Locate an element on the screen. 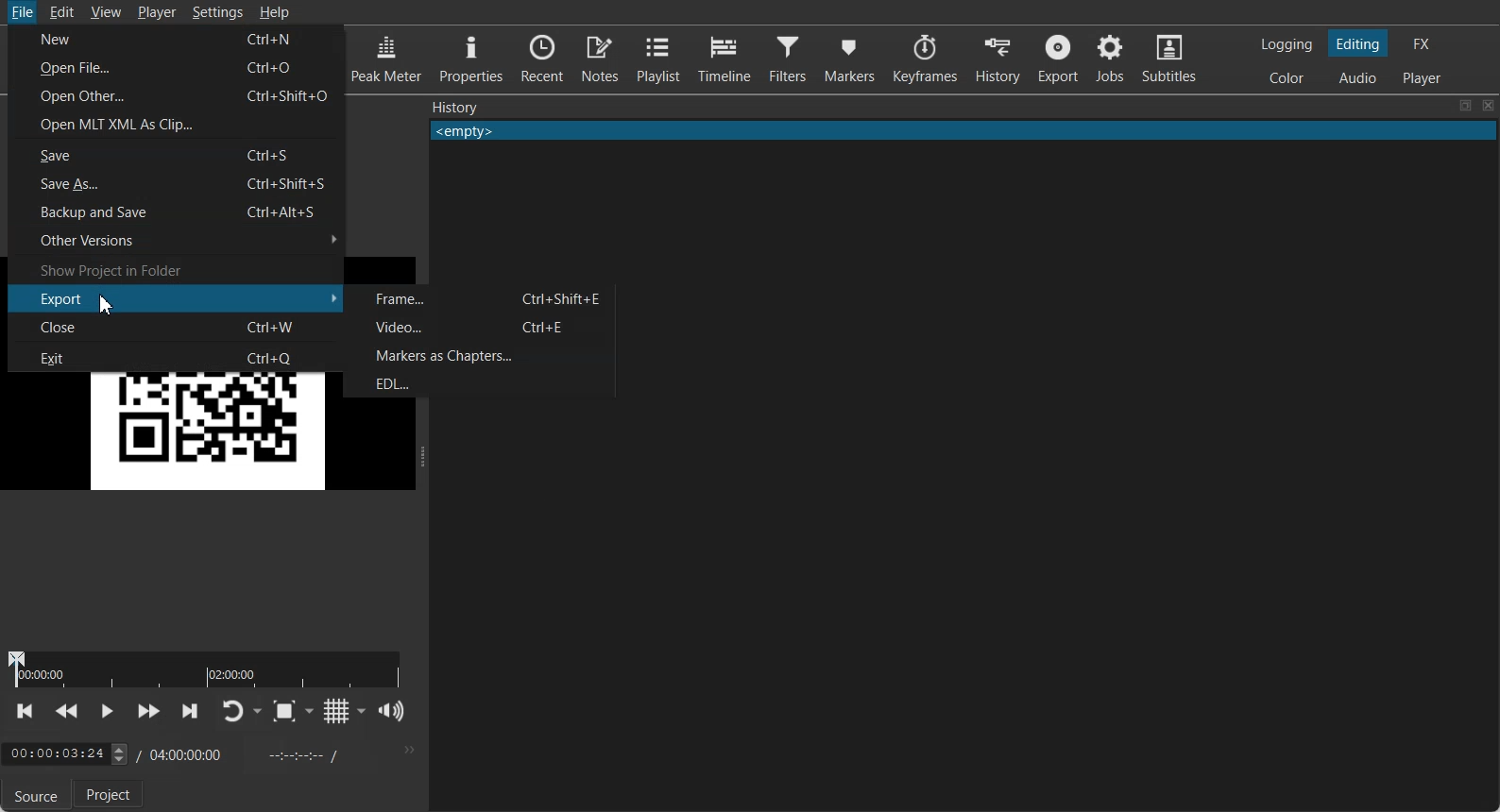  Ctrl+Shift+S is located at coordinates (293, 183).